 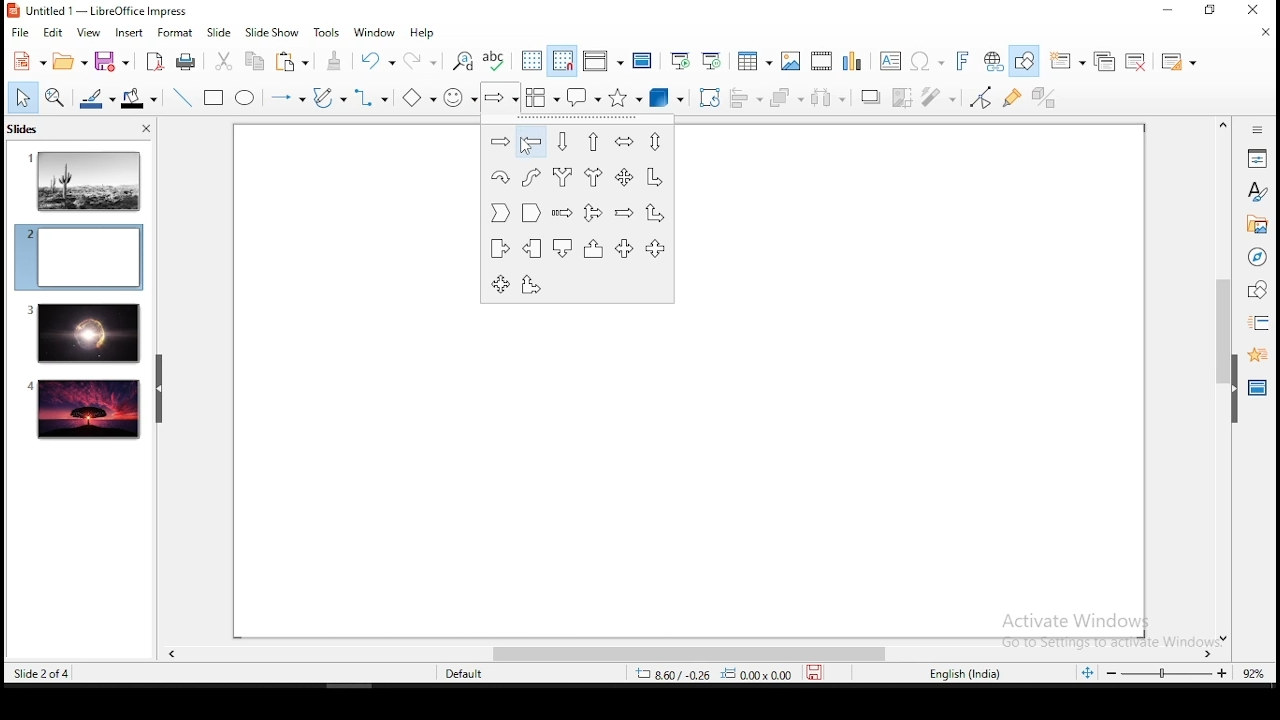 I want to click on restore, so click(x=1211, y=11).